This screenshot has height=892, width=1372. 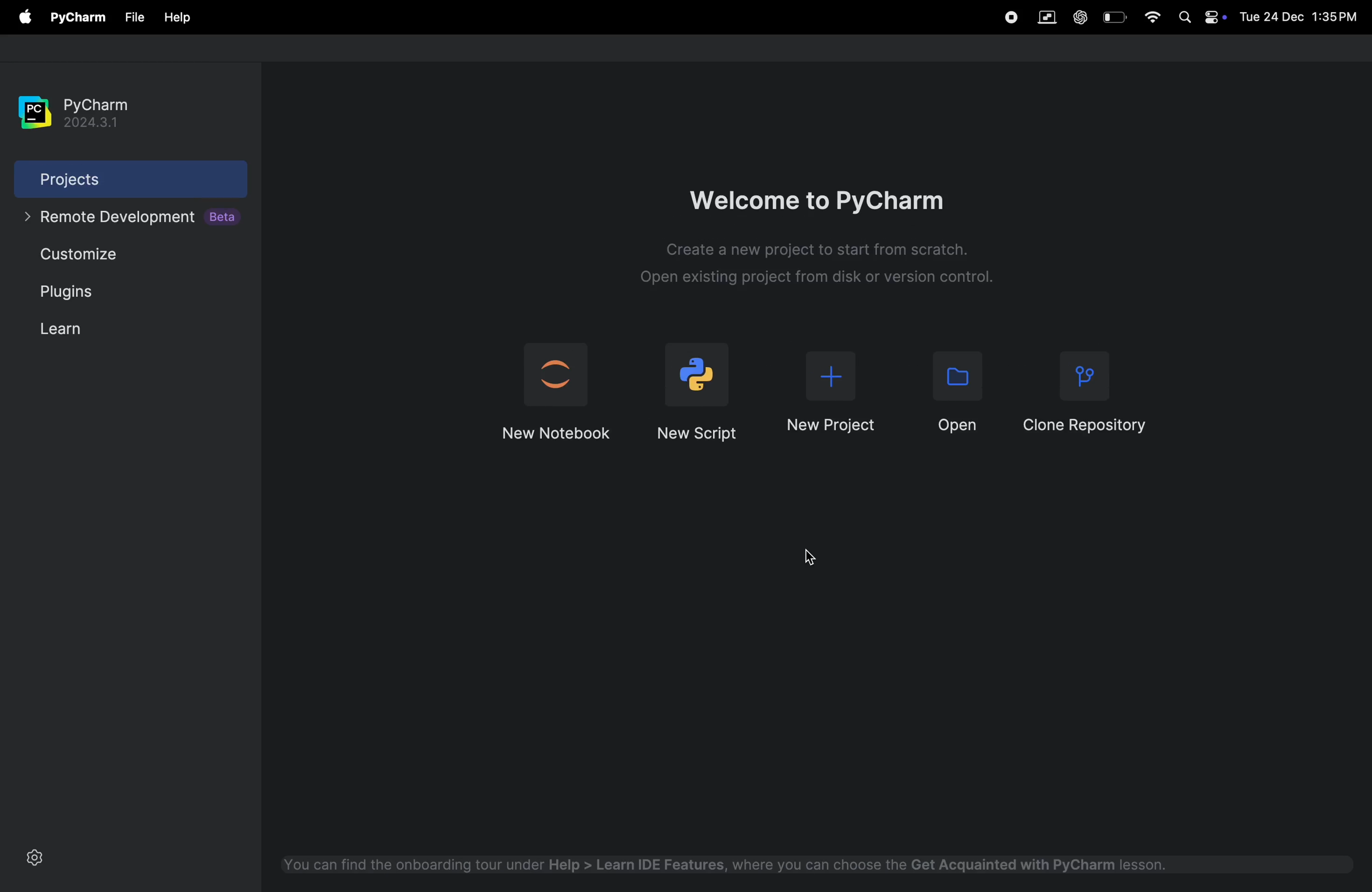 I want to click on new script, so click(x=699, y=391).